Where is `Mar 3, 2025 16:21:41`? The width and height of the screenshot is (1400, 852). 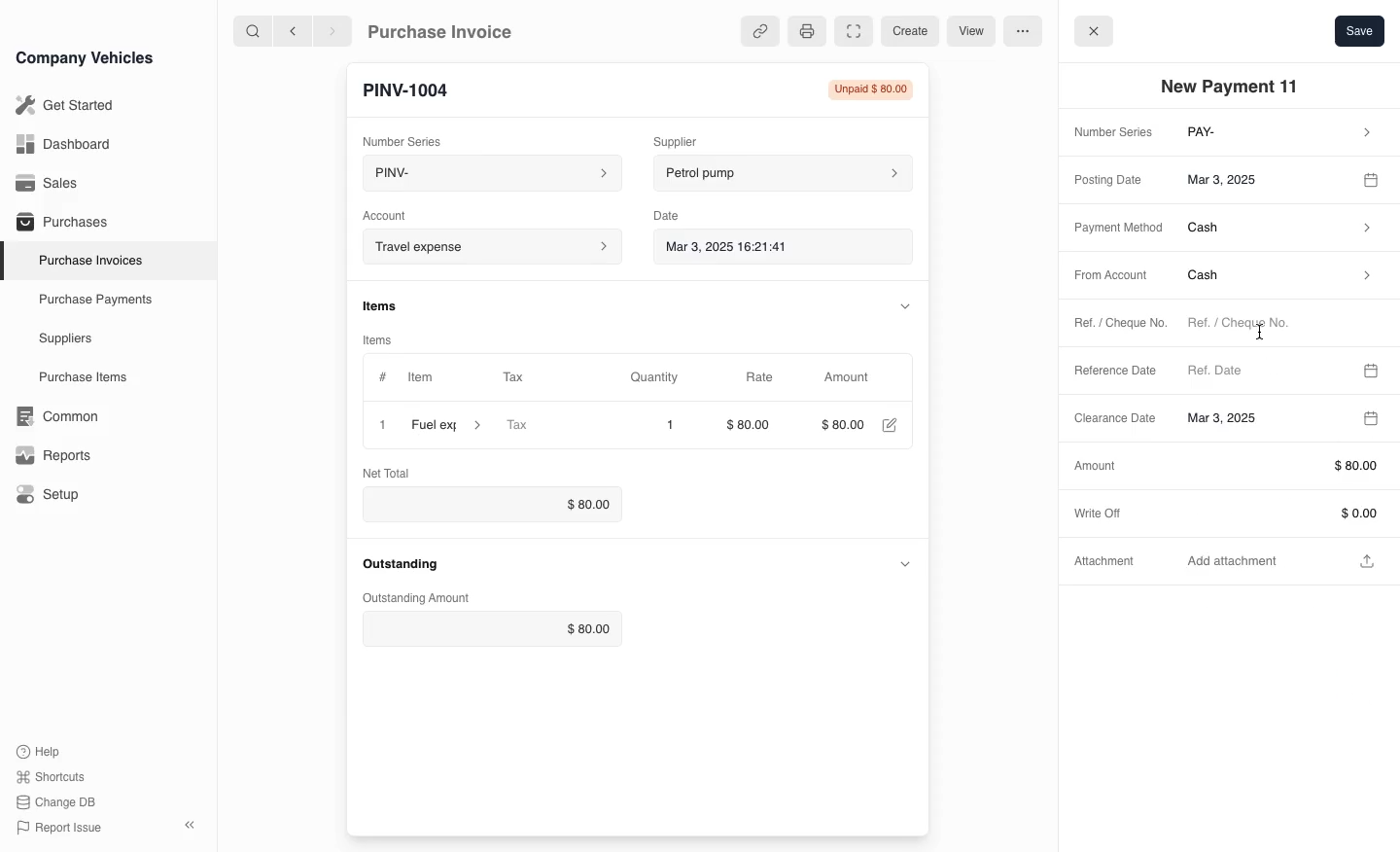
Mar 3, 2025 16:21:41 is located at coordinates (766, 245).